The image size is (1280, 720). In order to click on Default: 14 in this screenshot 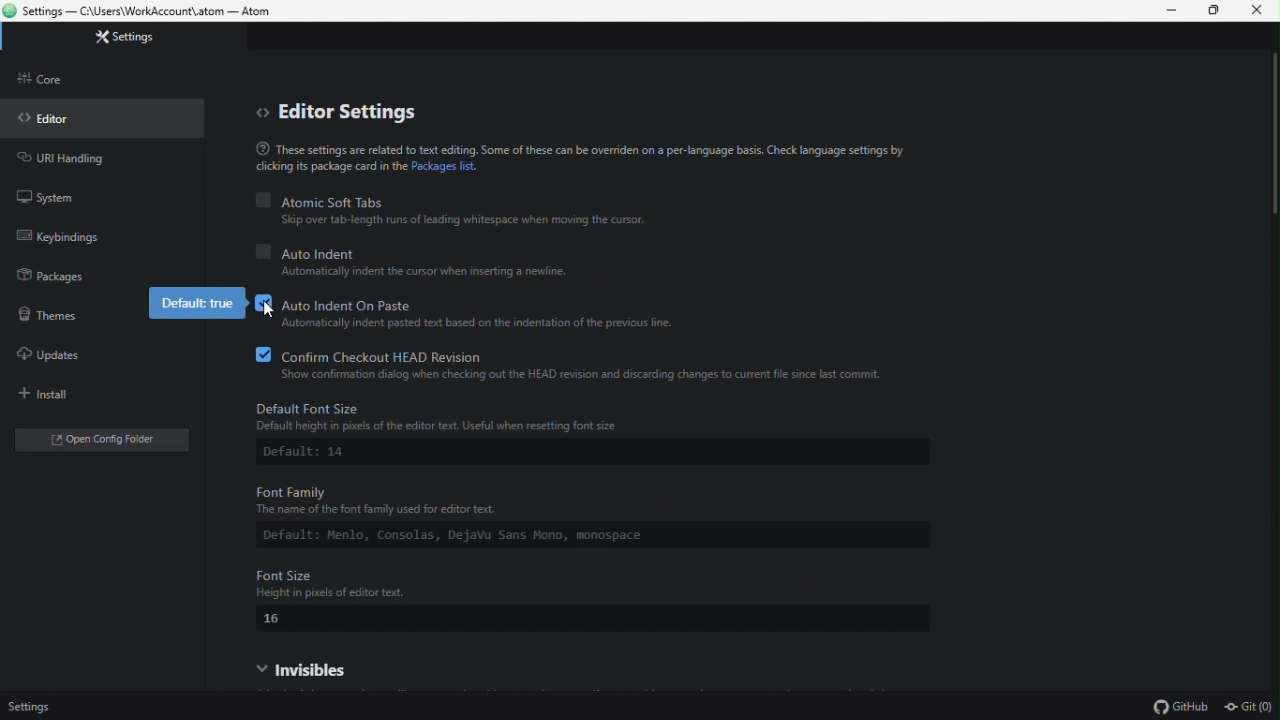, I will do `click(328, 451)`.